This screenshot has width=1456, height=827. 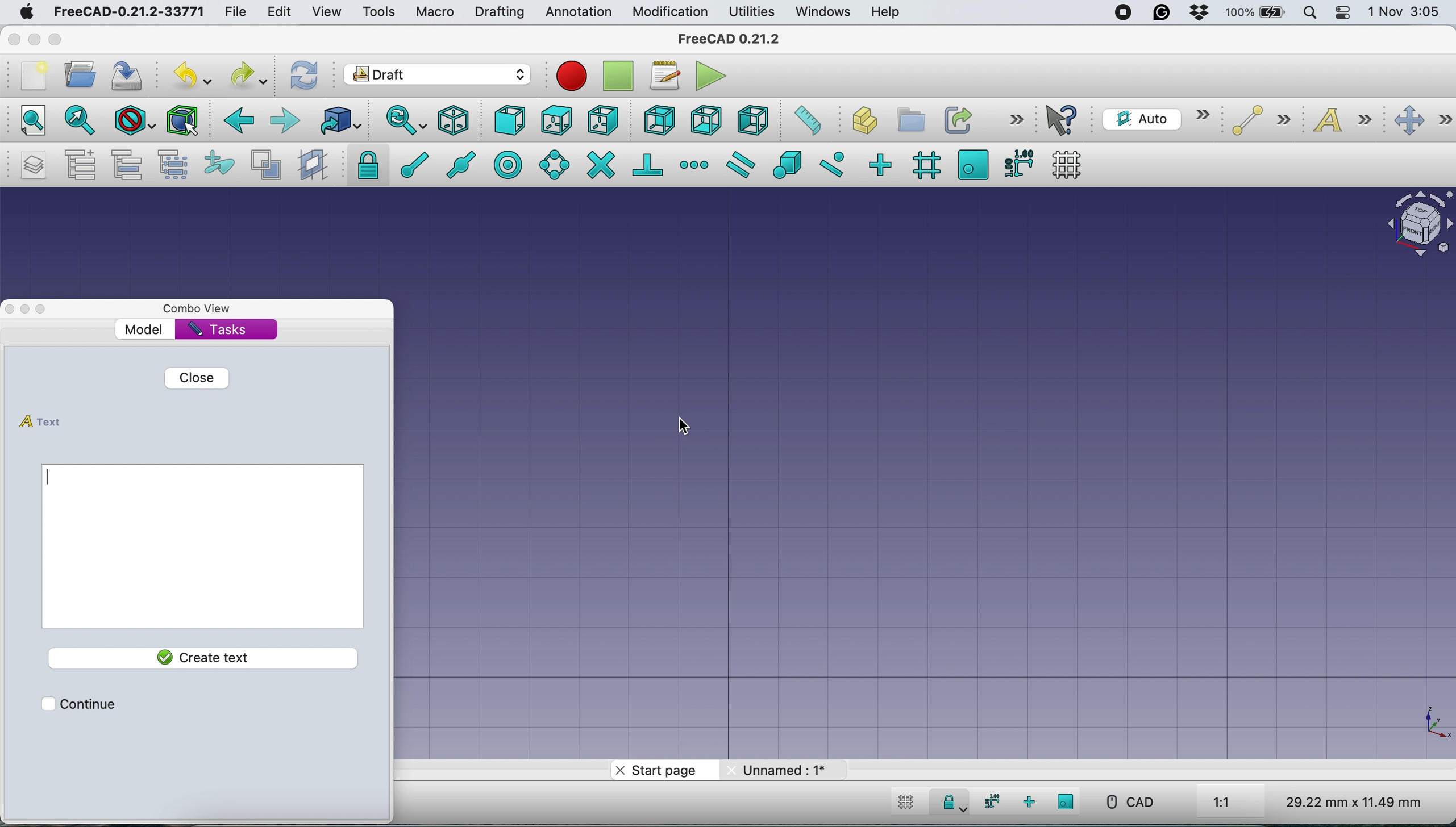 What do you see at coordinates (602, 120) in the screenshot?
I see `right` at bounding box center [602, 120].